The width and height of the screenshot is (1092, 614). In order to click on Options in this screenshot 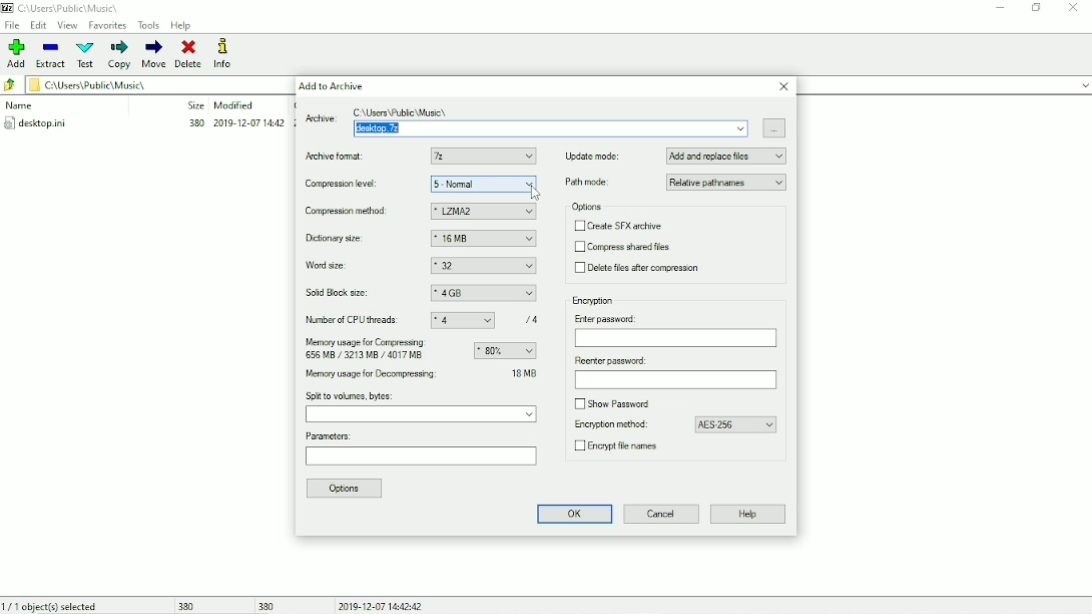, I will do `click(588, 207)`.